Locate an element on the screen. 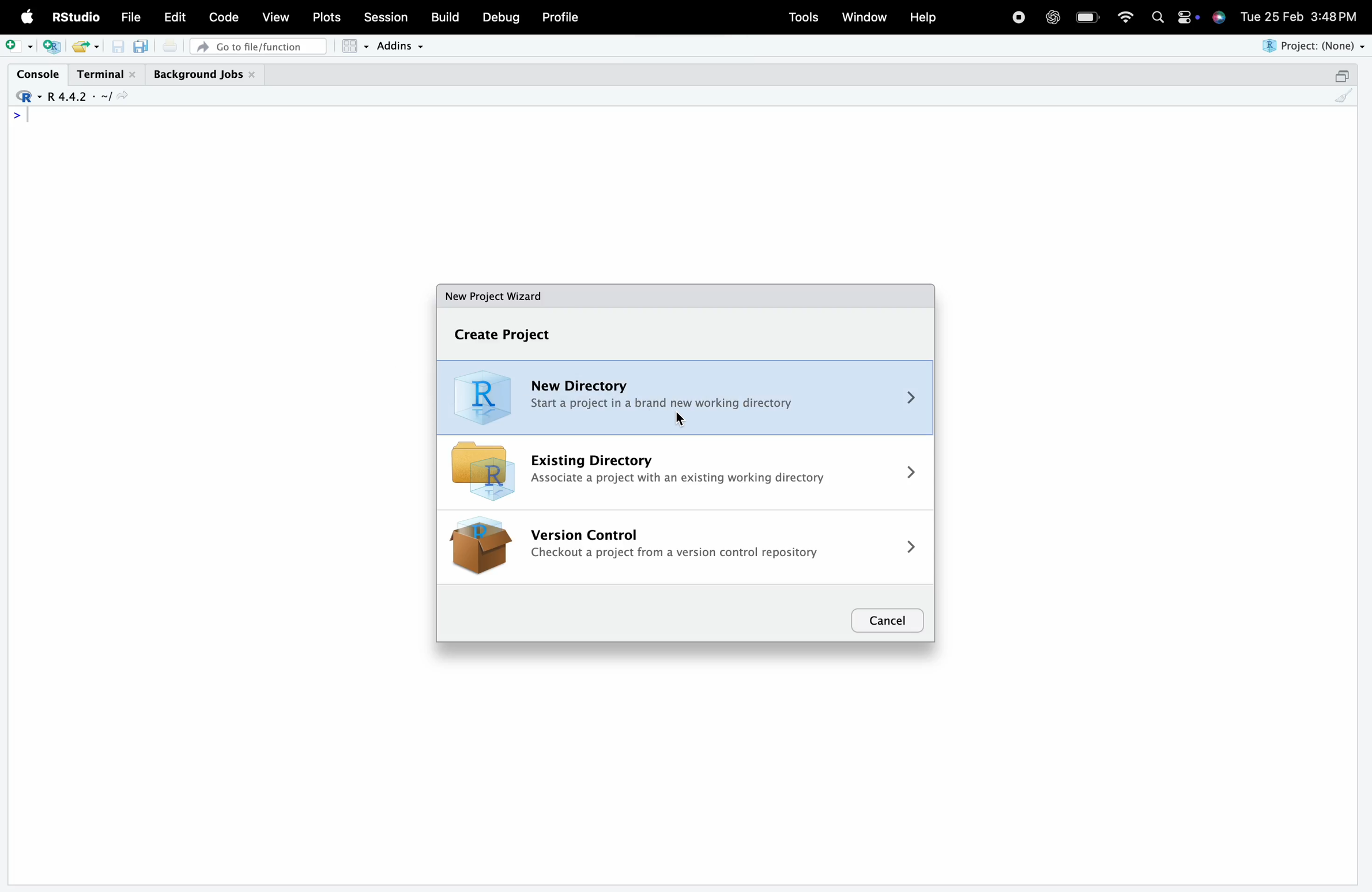 The image size is (1372, 892). Plots is located at coordinates (325, 17).